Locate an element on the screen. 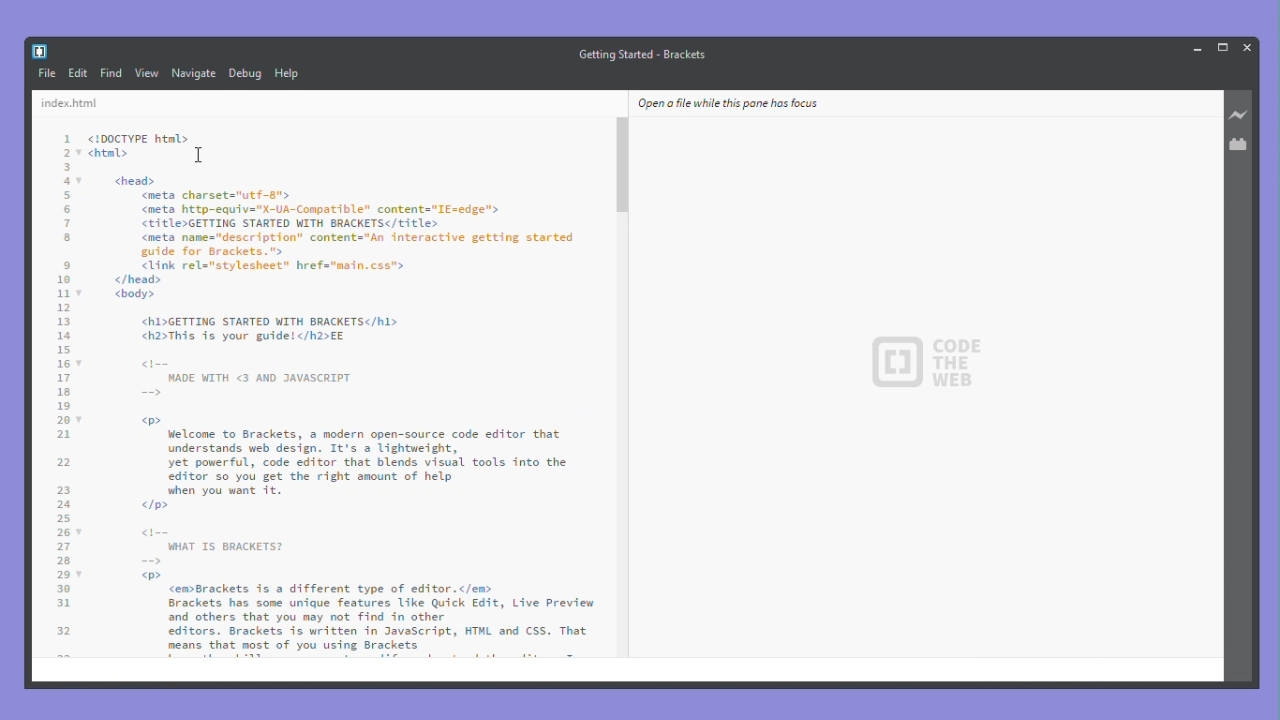  15 is located at coordinates (64, 350).